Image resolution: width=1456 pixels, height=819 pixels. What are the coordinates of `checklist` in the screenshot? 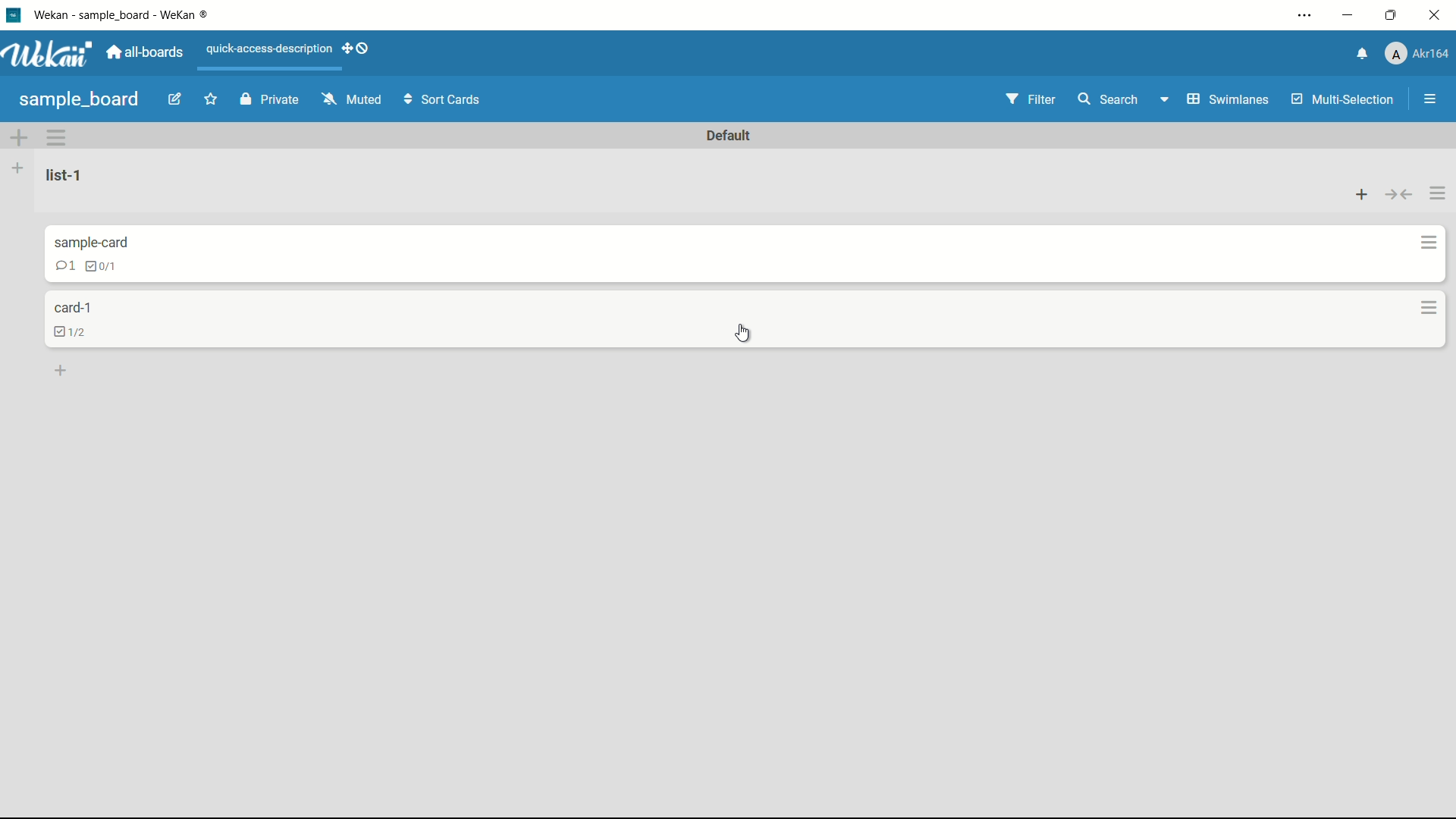 It's located at (103, 265).